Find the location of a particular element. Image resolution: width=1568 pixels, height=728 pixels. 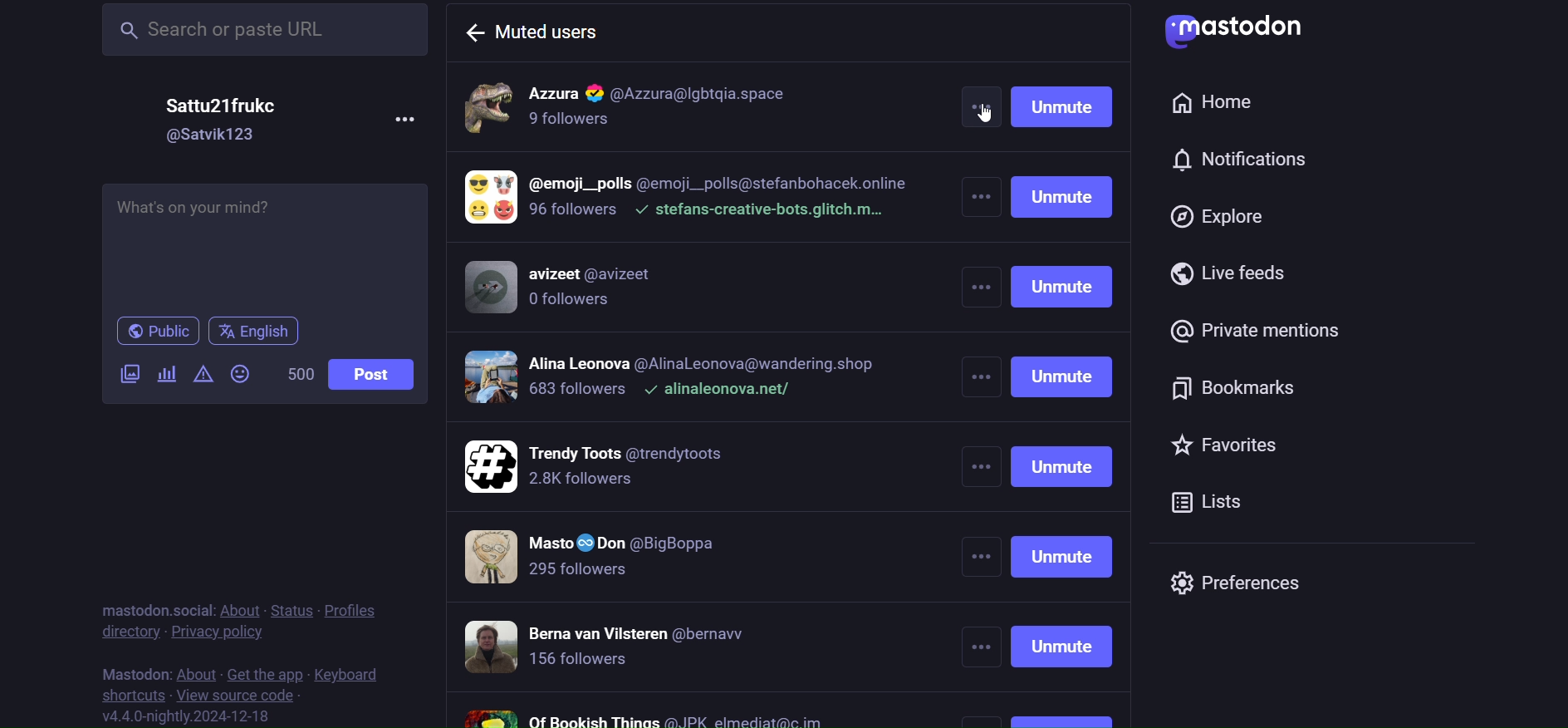

mastodon is located at coordinates (135, 671).